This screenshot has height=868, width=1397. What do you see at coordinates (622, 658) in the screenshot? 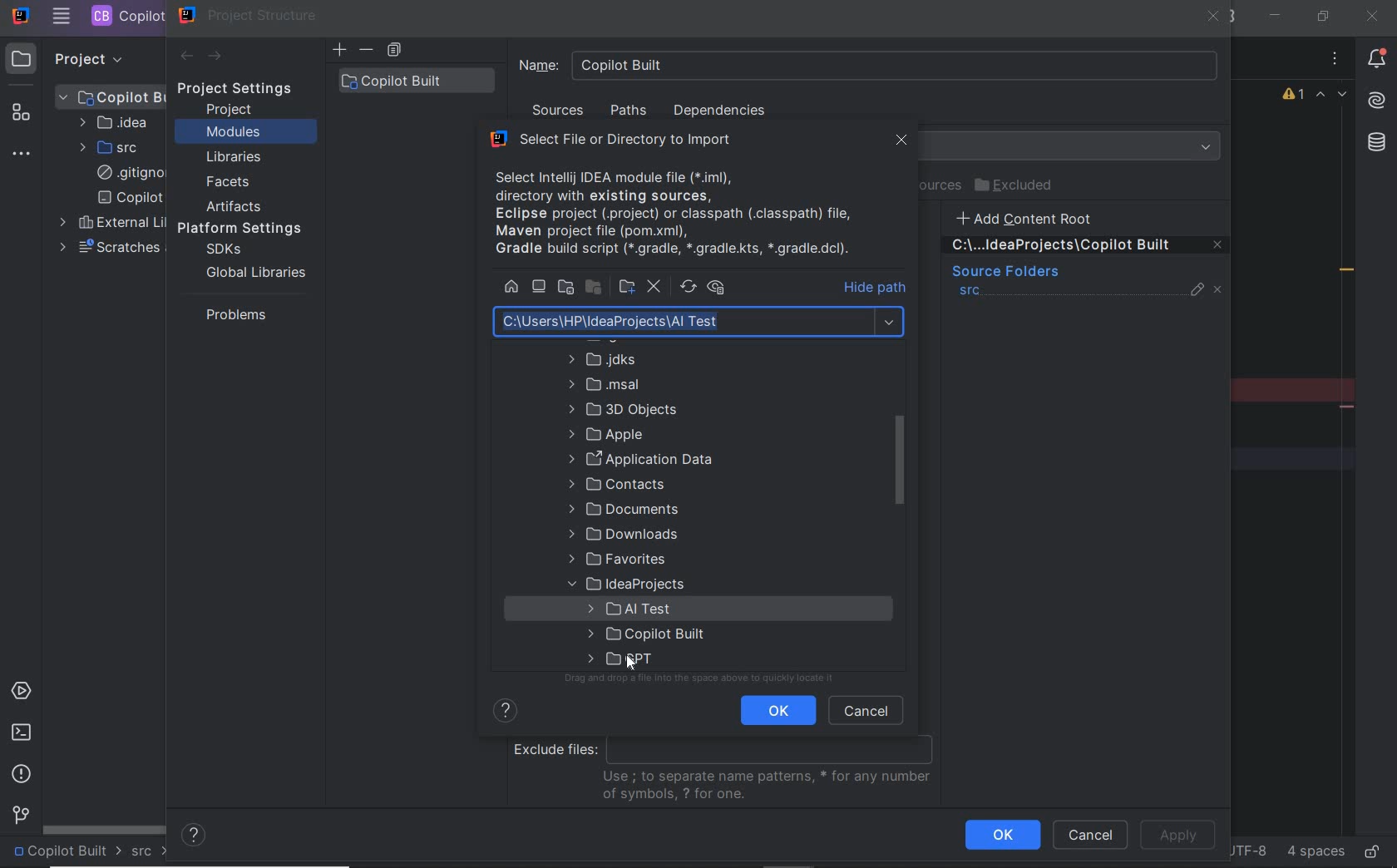
I see `folder` at bounding box center [622, 658].